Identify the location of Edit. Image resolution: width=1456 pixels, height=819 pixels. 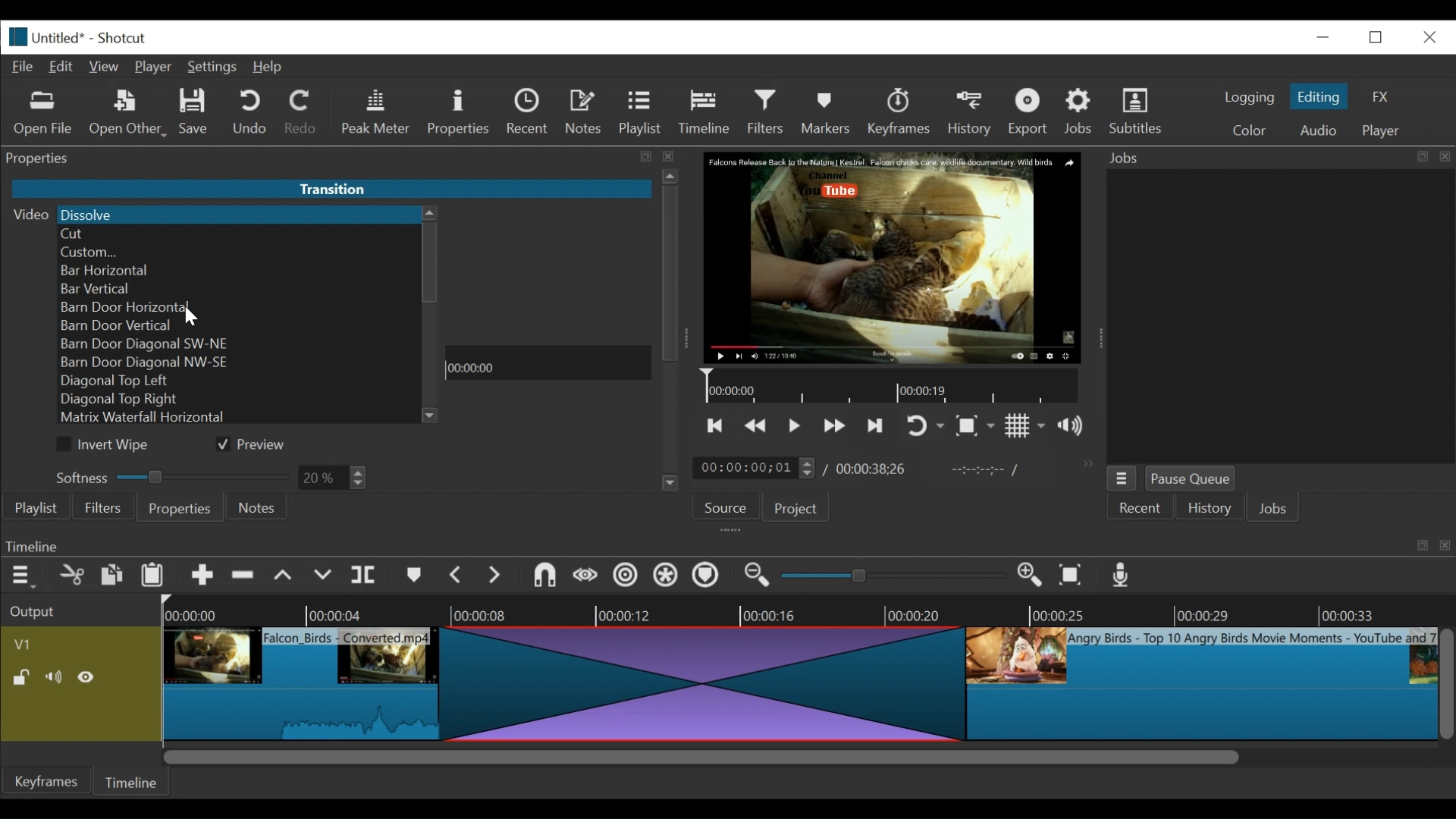
(64, 65).